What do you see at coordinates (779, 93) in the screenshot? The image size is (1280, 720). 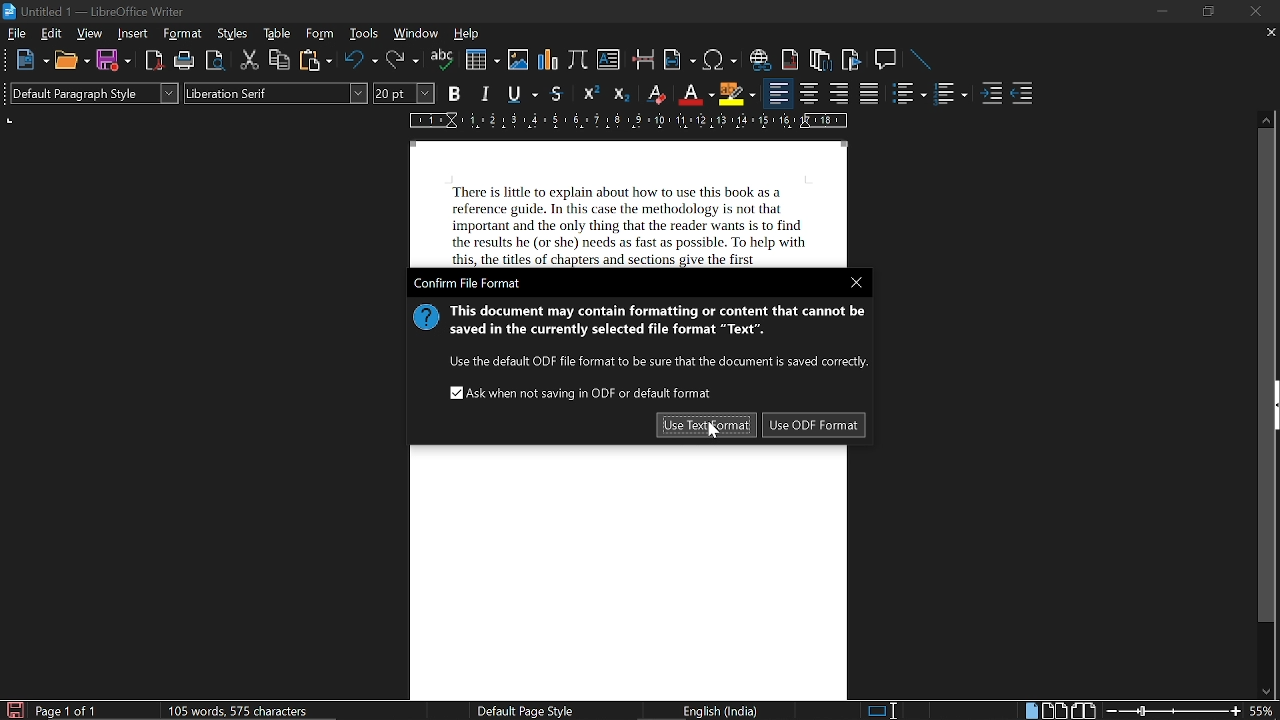 I see `align left` at bounding box center [779, 93].